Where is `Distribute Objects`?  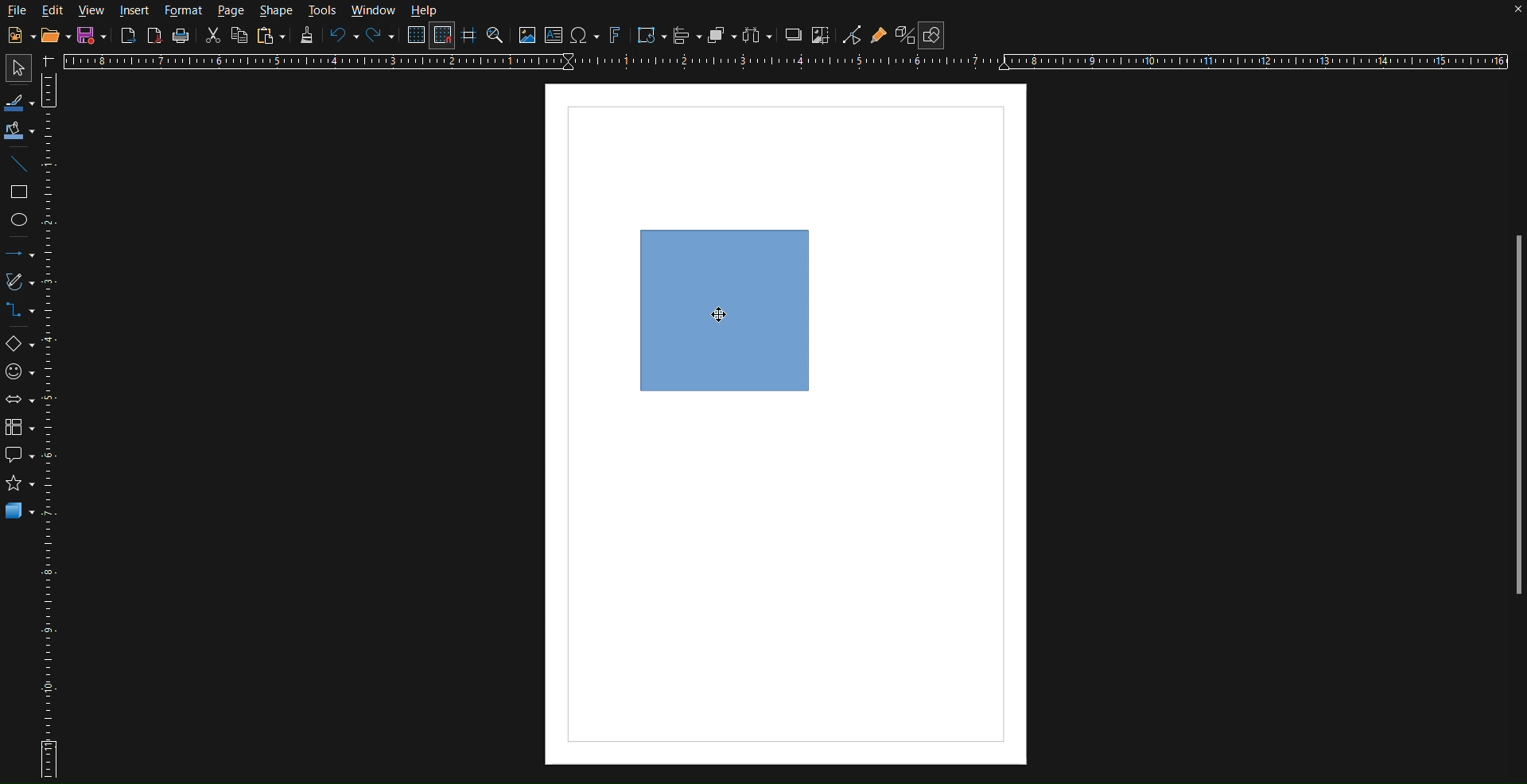 Distribute Objects is located at coordinates (757, 35).